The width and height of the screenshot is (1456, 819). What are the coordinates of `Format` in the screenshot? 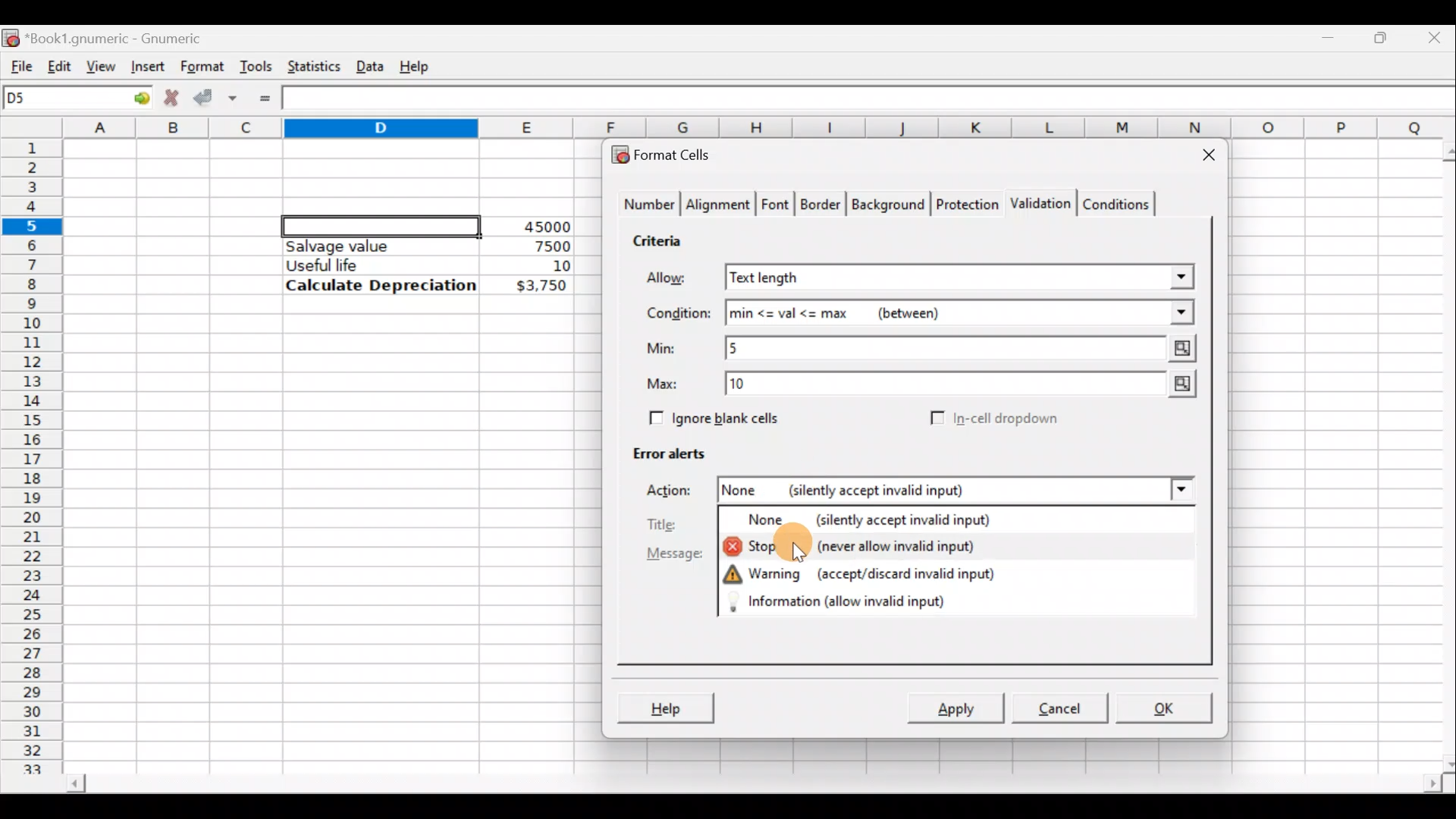 It's located at (201, 67).